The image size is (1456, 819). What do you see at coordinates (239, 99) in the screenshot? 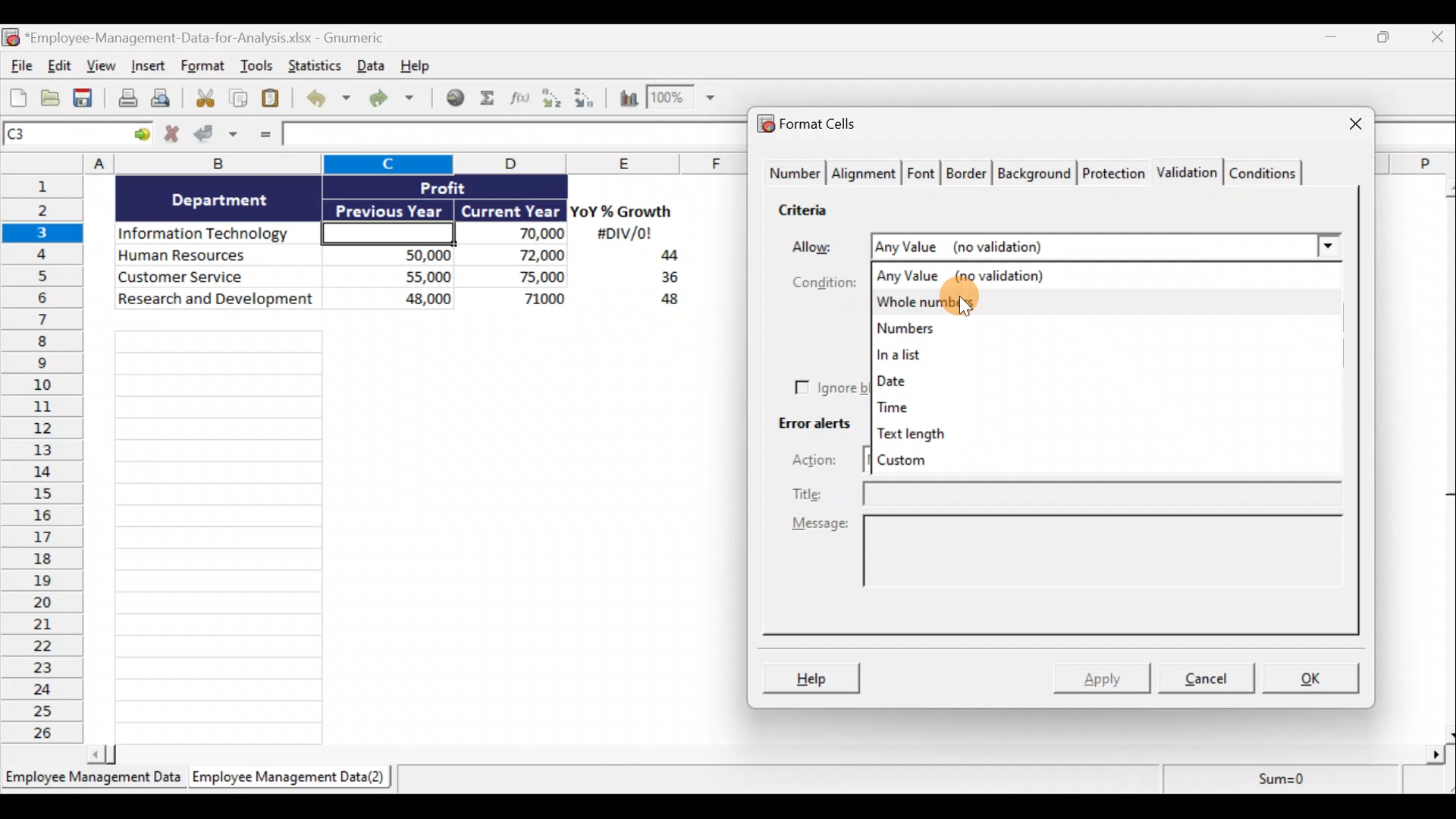
I see `Copy selection` at bounding box center [239, 99].